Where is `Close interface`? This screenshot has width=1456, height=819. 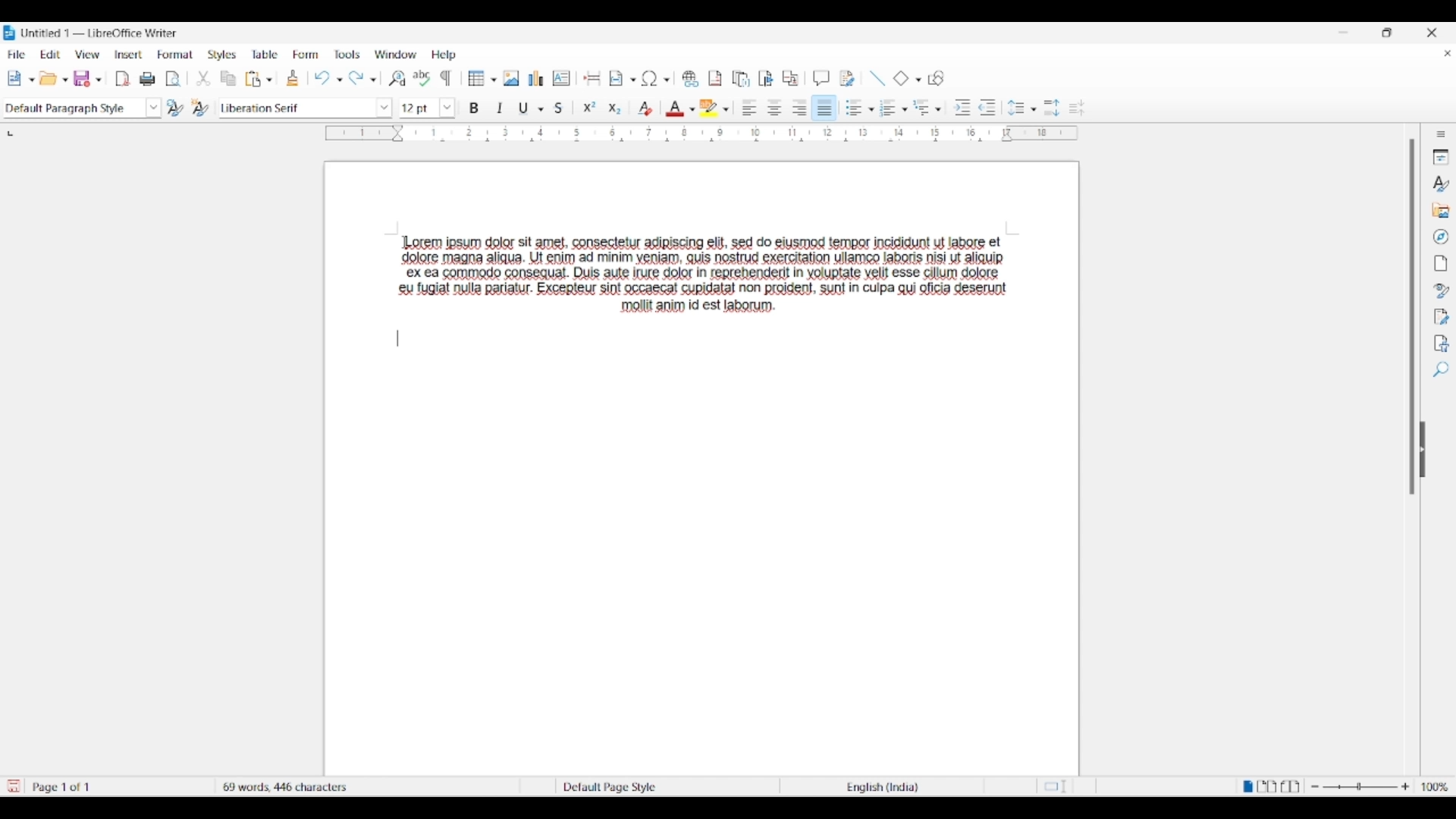 Close interface is located at coordinates (1431, 33).